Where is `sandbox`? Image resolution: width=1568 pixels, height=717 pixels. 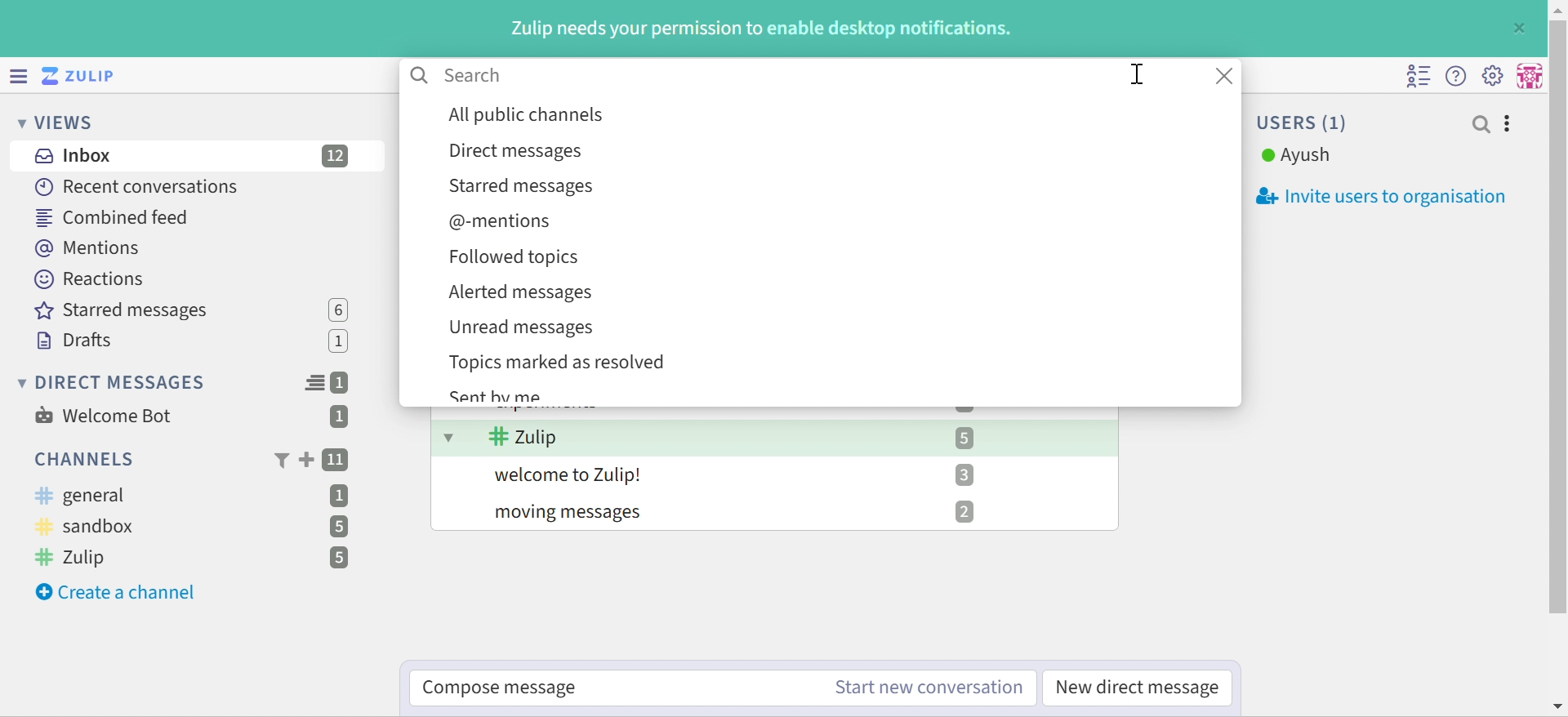 sandbox is located at coordinates (92, 528).